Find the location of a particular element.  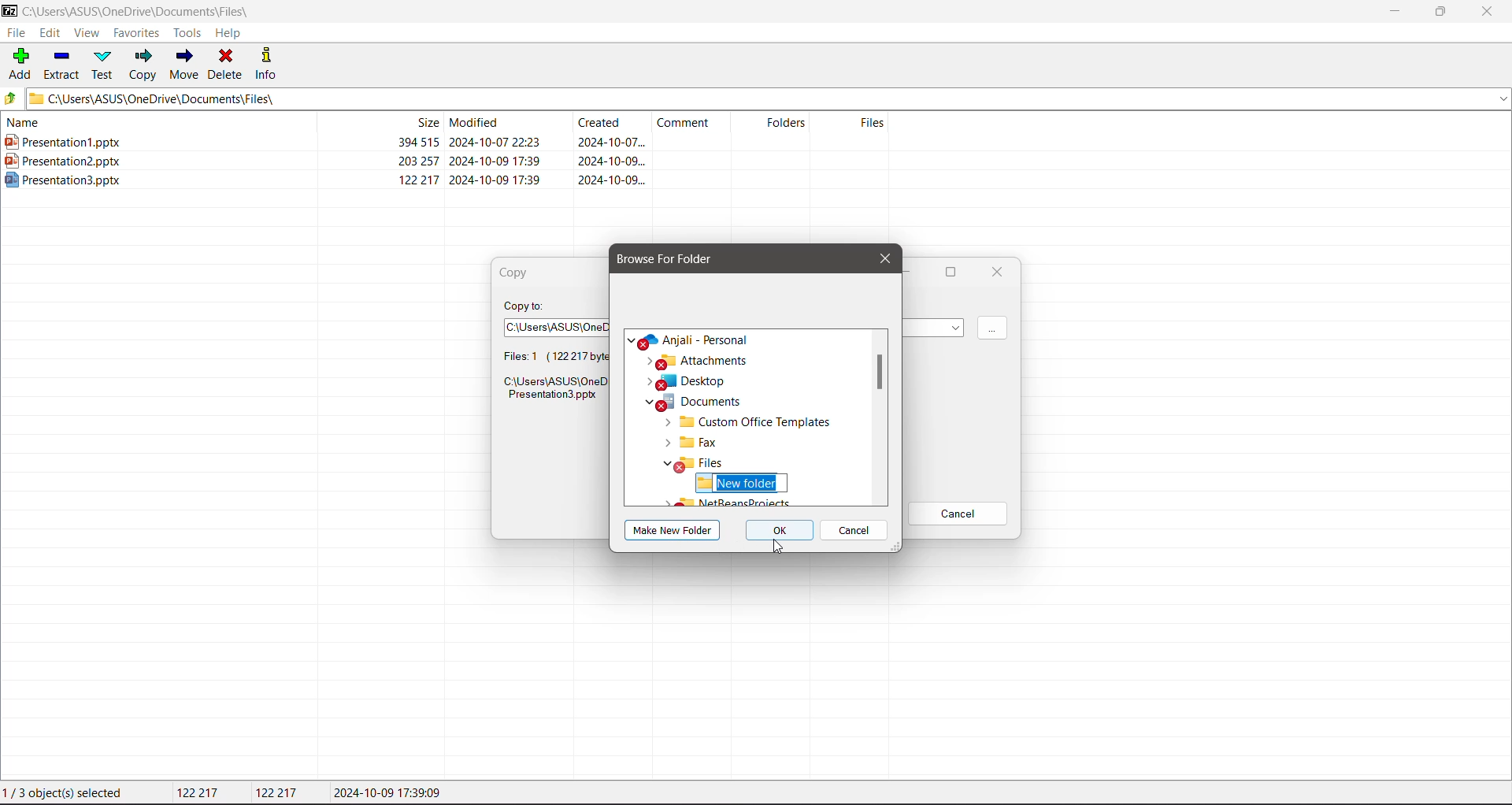

Close is located at coordinates (997, 272).